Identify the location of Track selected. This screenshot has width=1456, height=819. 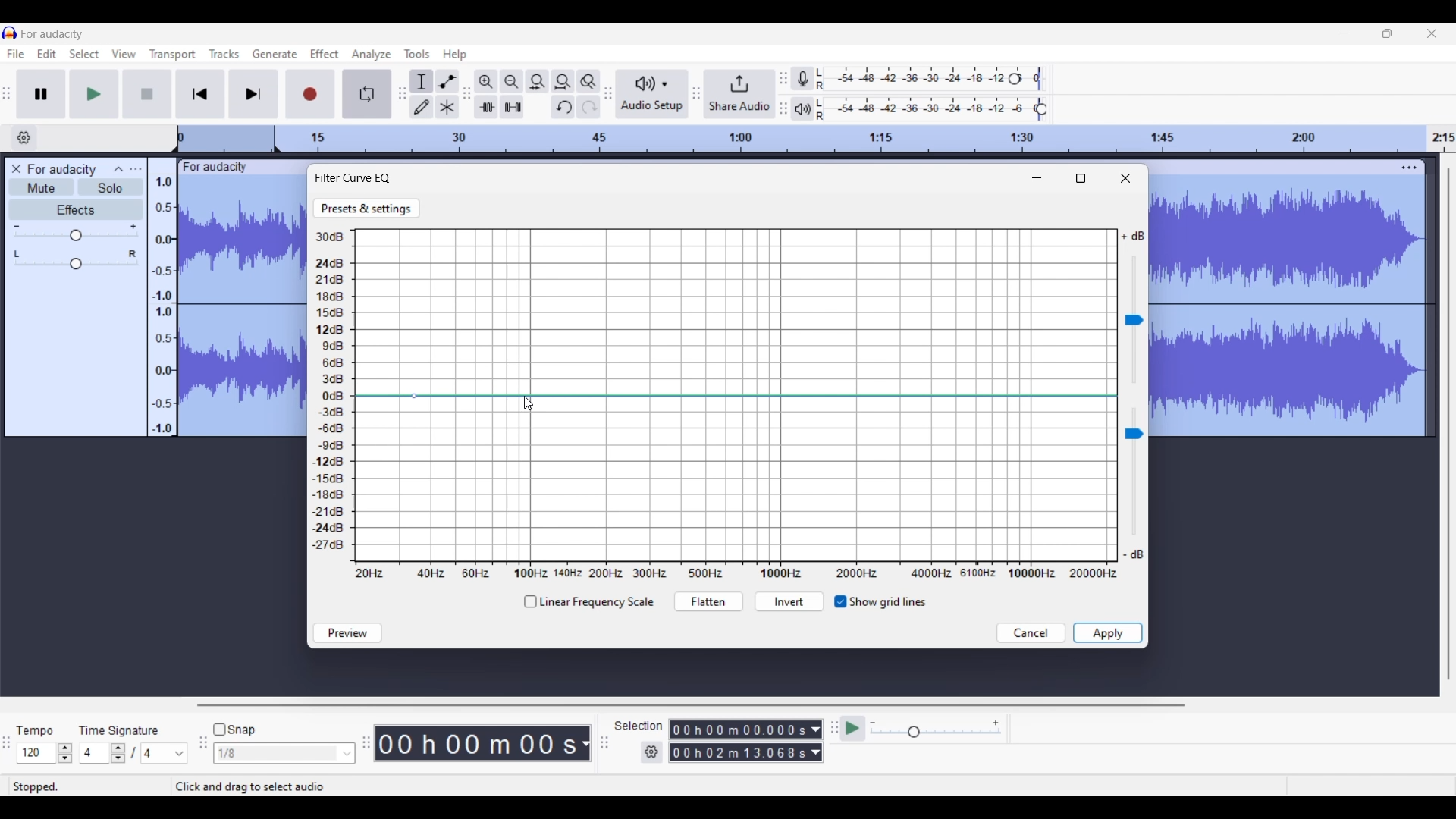
(1290, 309).